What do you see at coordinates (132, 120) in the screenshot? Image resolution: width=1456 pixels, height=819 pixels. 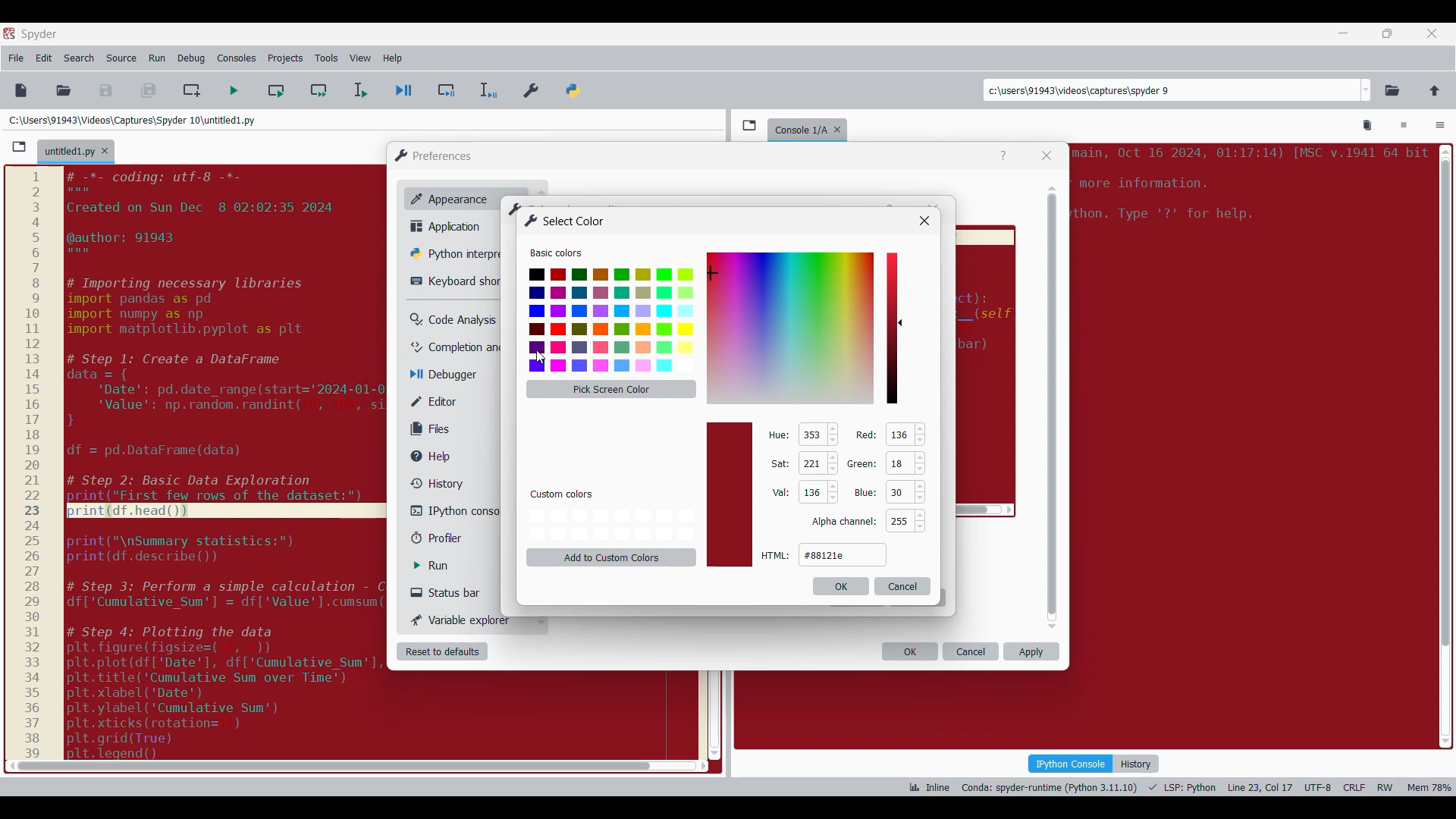 I see `File location` at bounding box center [132, 120].